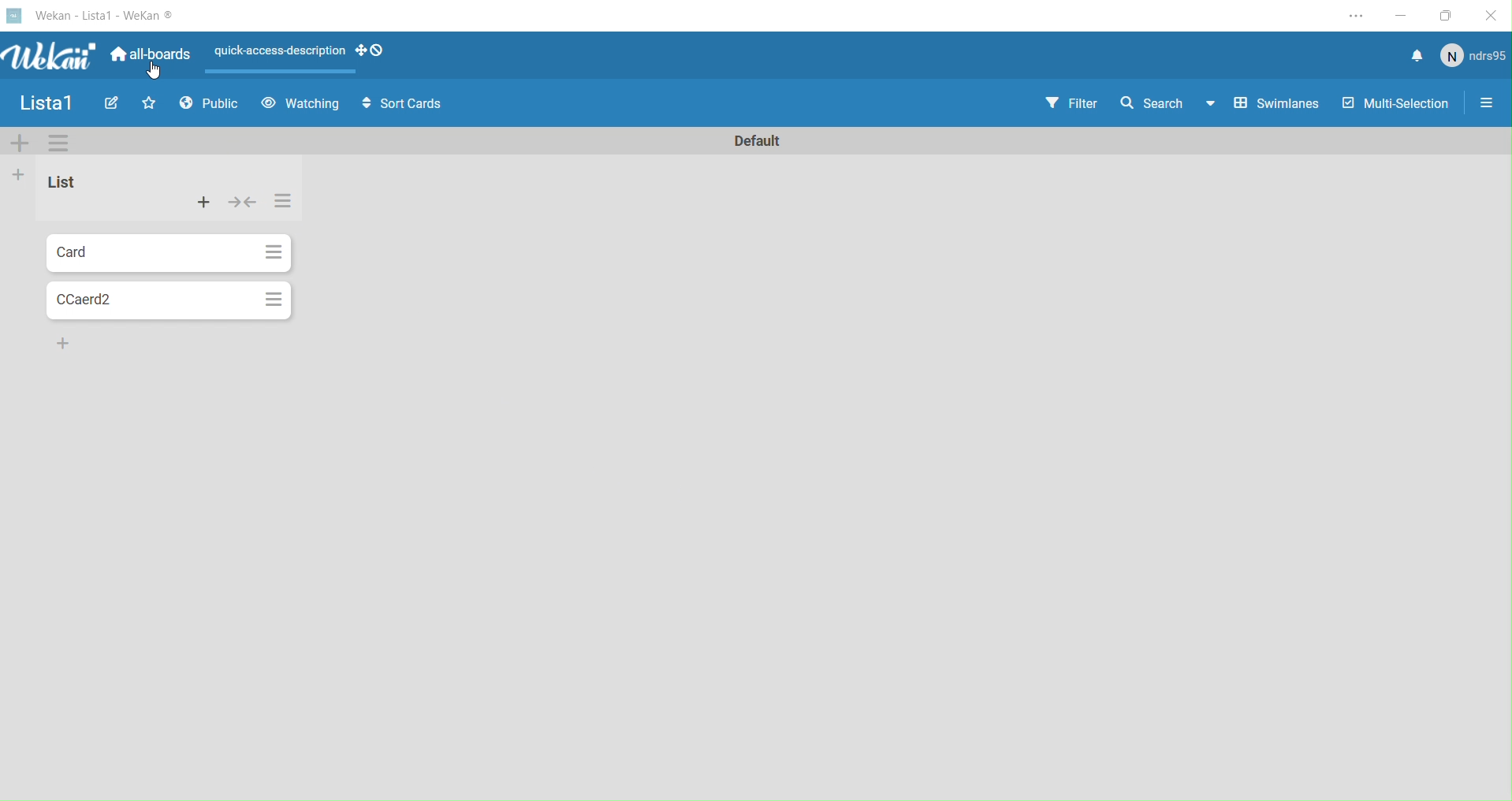 Image resolution: width=1512 pixels, height=801 pixels. What do you see at coordinates (1448, 13) in the screenshot?
I see `Box` at bounding box center [1448, 13].